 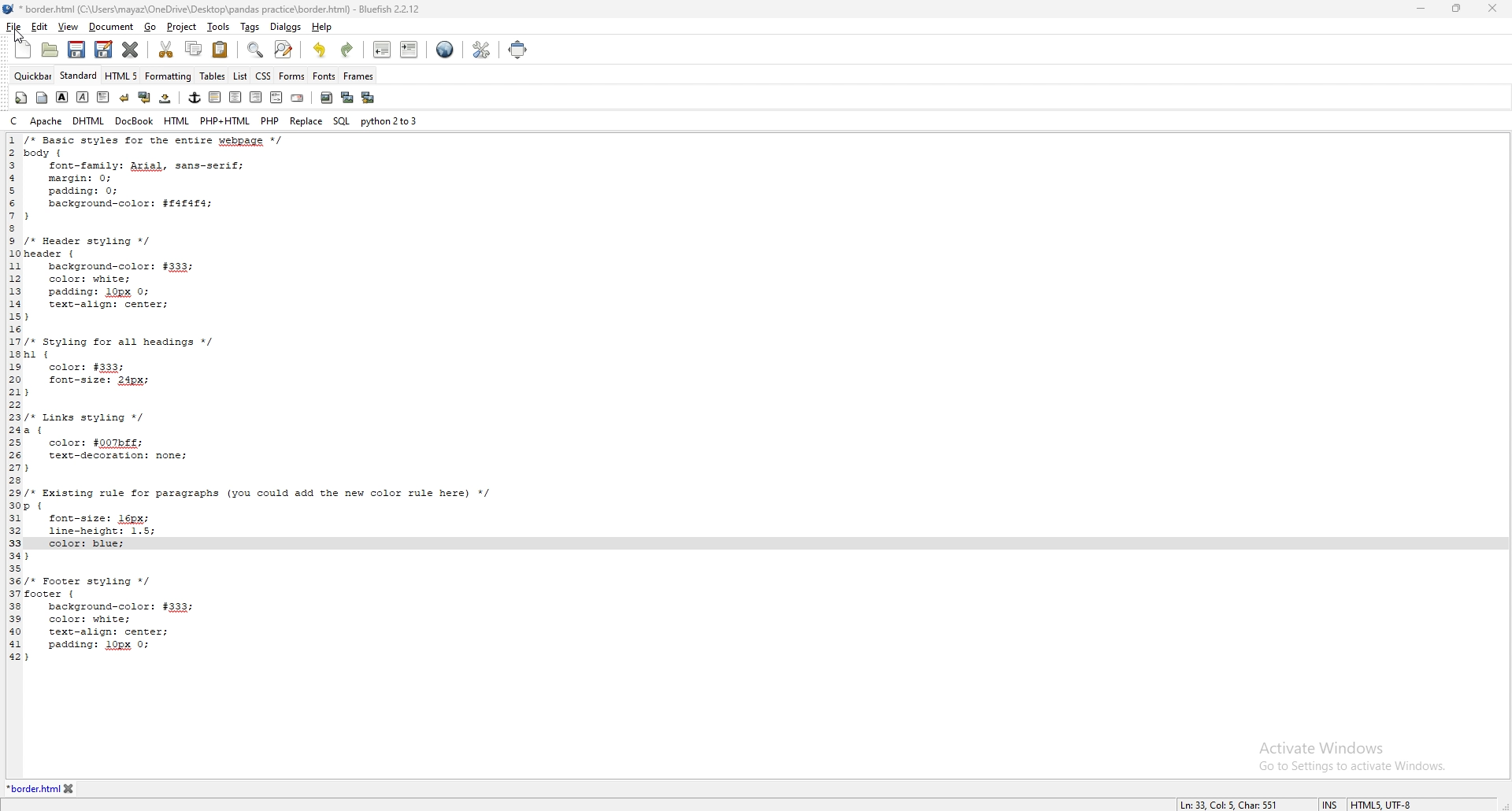 What do you see at coordinates (195, 48) in the screenshot?
I see `copy` at bounding box center [195, 48].